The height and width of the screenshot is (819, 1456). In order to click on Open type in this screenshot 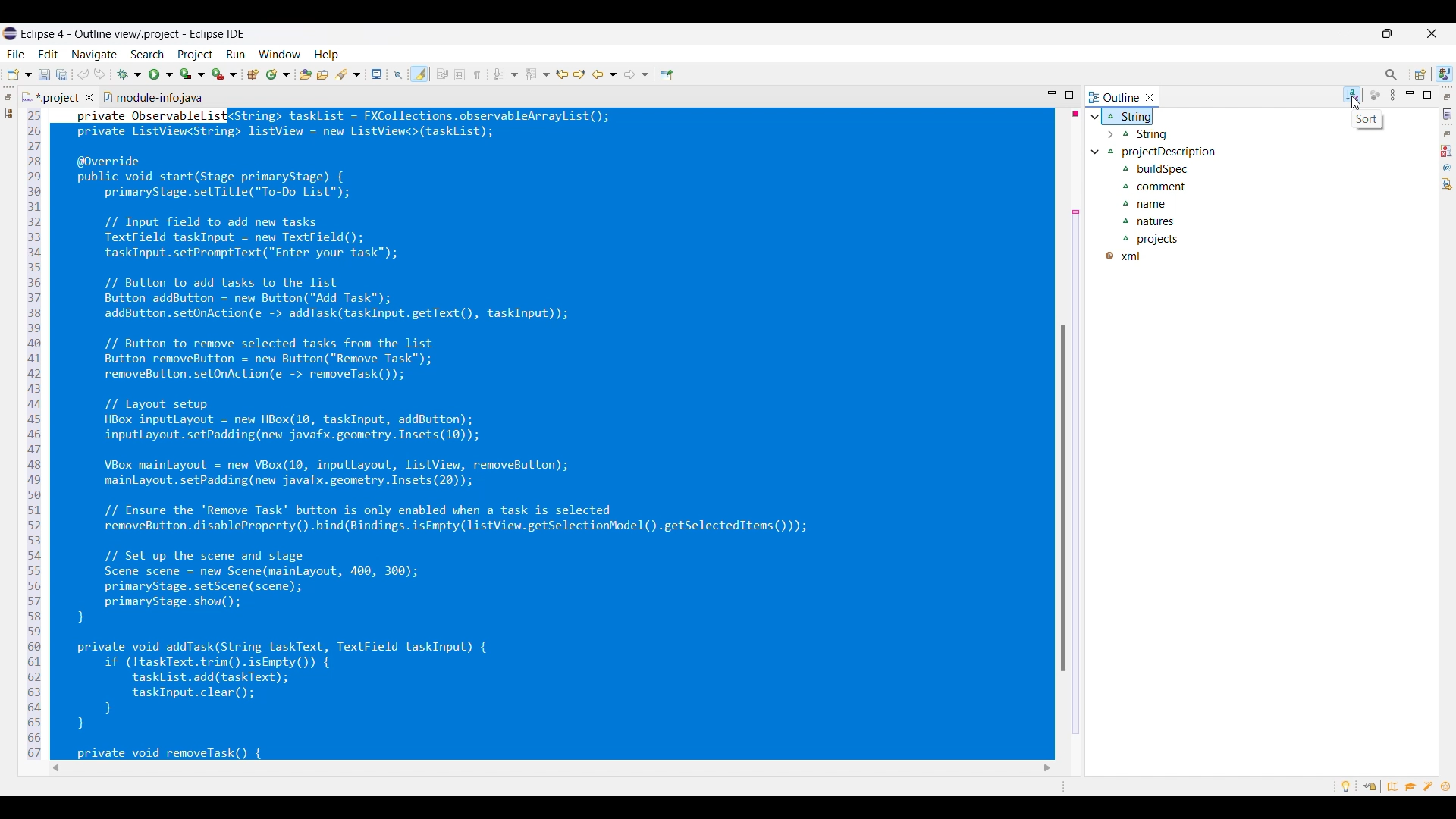, I will do `click(306, 74)`.